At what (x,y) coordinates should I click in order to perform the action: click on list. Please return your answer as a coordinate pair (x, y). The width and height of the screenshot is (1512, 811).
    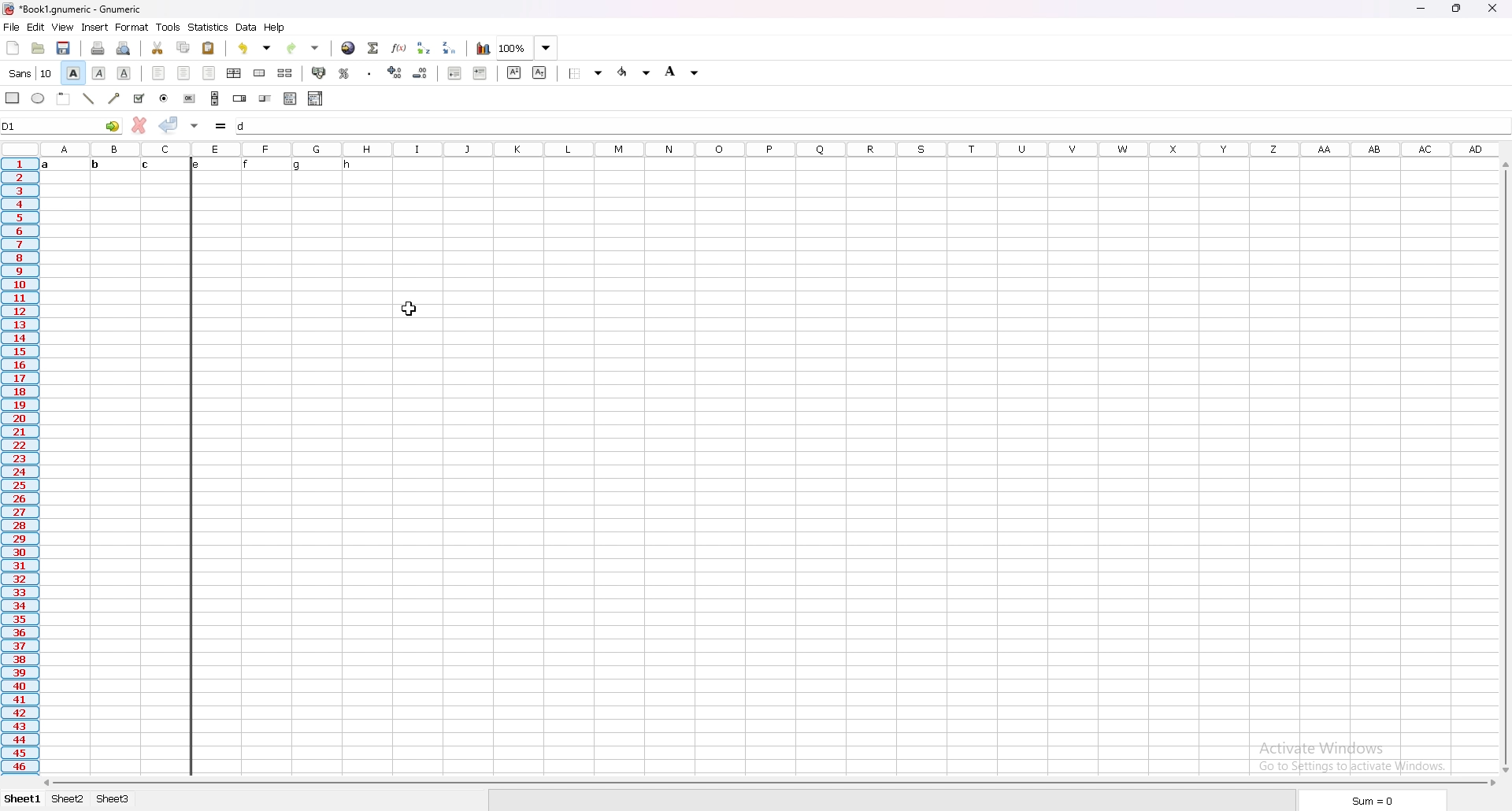
    Looking at the image, I should click on (291, 98).